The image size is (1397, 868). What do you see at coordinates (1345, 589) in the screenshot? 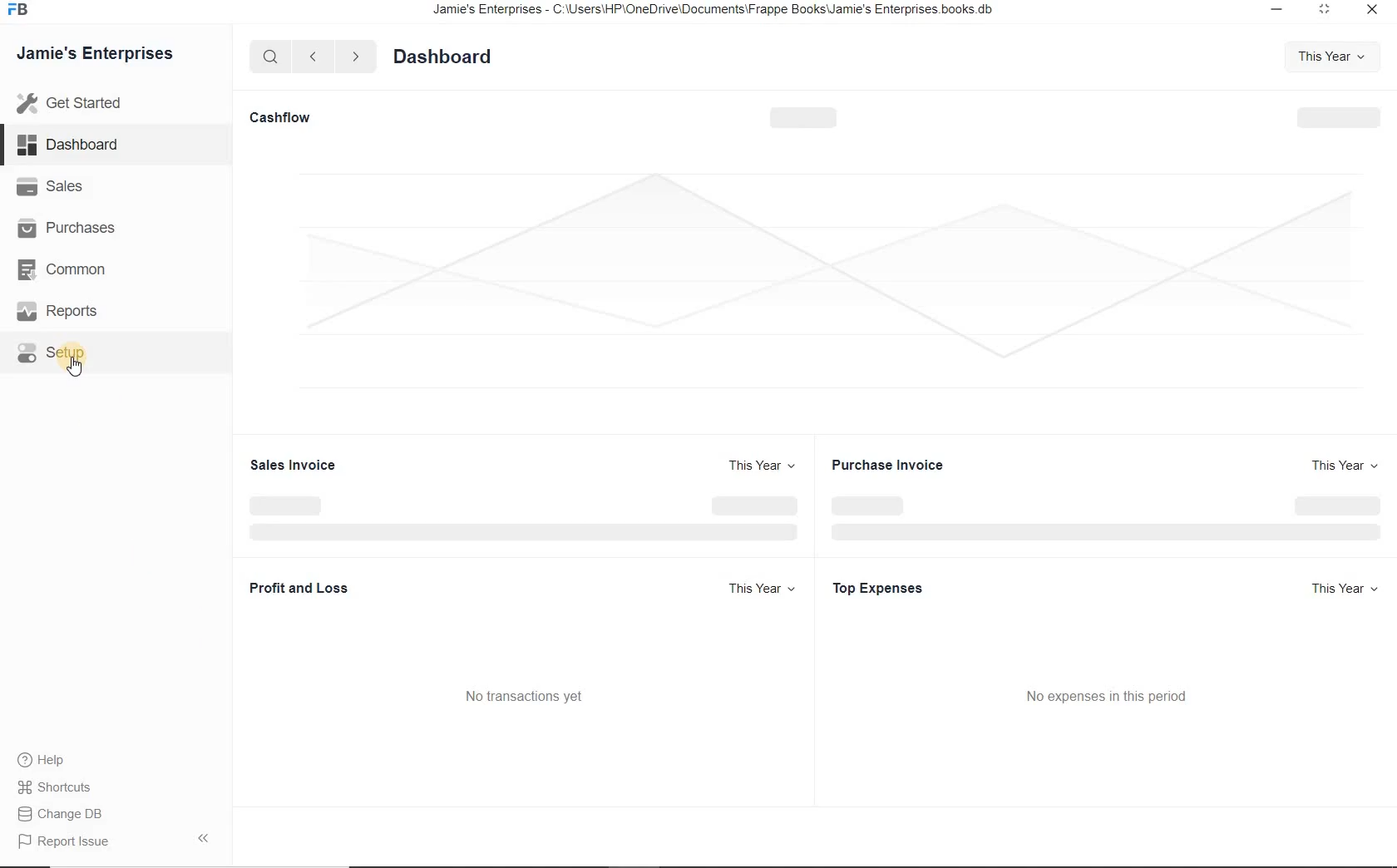
I see `This Year ` at bounding box center [1345, 589].